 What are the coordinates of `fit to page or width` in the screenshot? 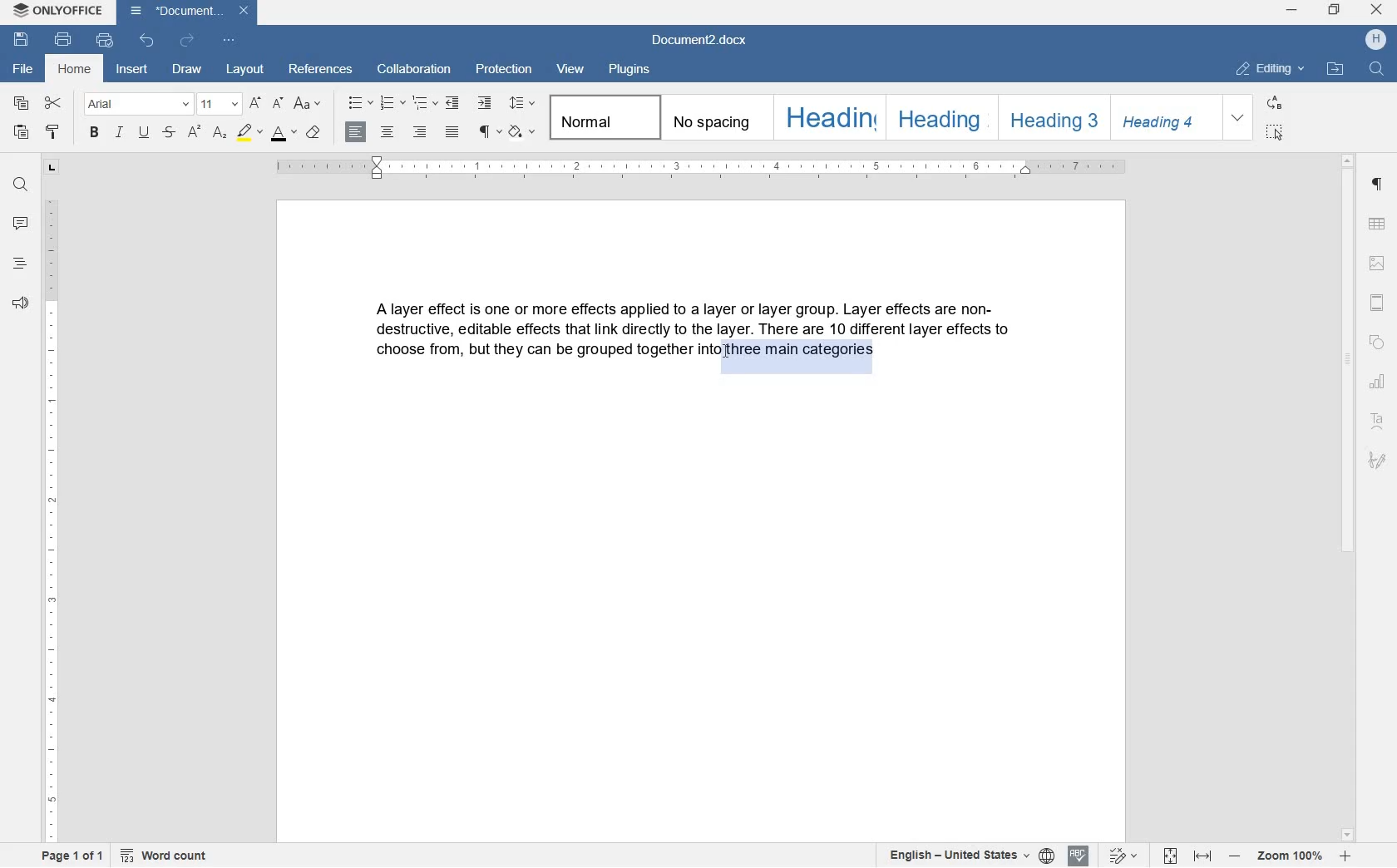 It's located at (1187, 857).